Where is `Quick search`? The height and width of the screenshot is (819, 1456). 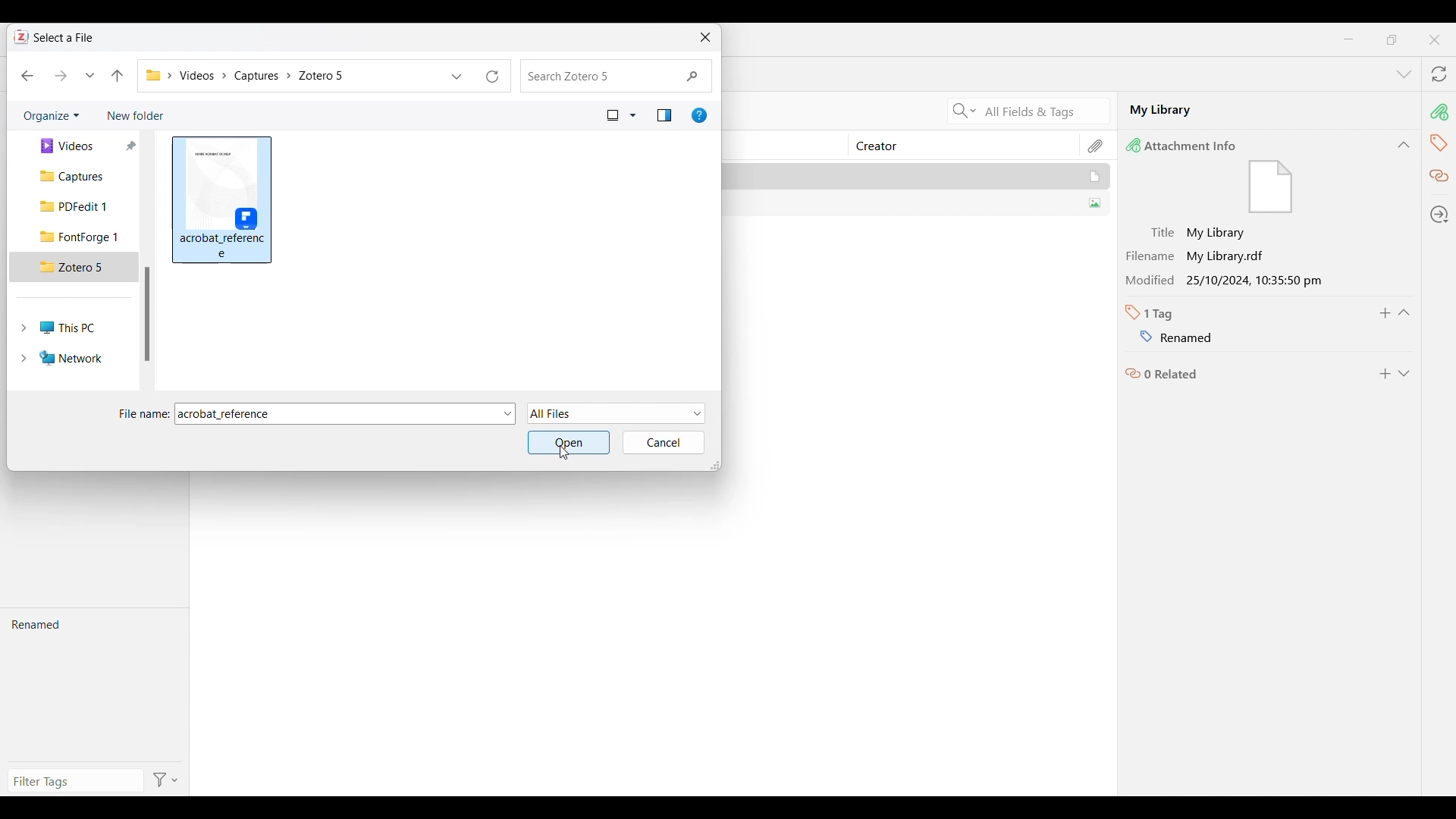
Quick search is located at coordinates (685, 77).